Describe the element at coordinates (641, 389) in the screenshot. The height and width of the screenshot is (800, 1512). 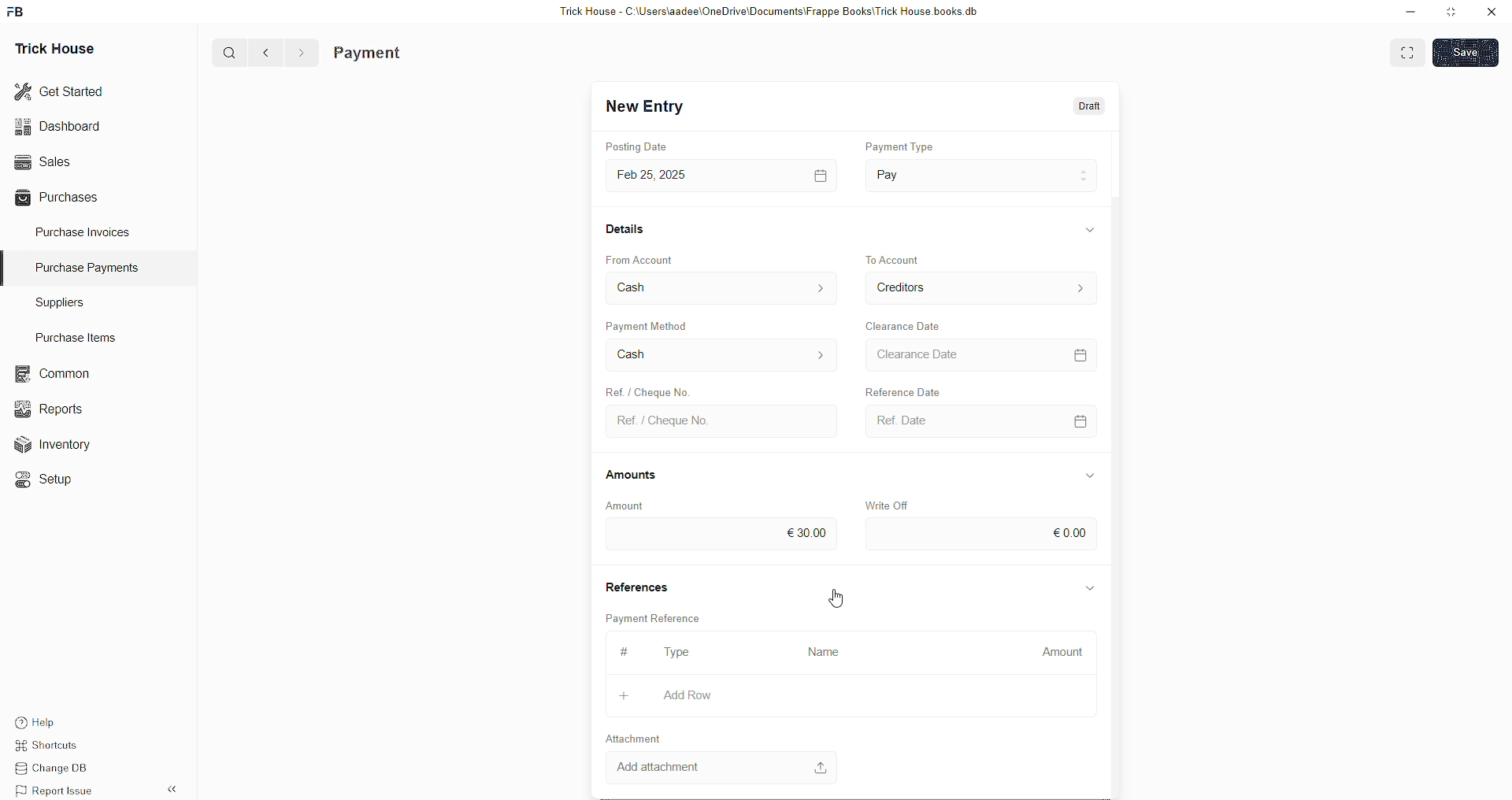
I see `Ref. / Cheque No.` at that location.